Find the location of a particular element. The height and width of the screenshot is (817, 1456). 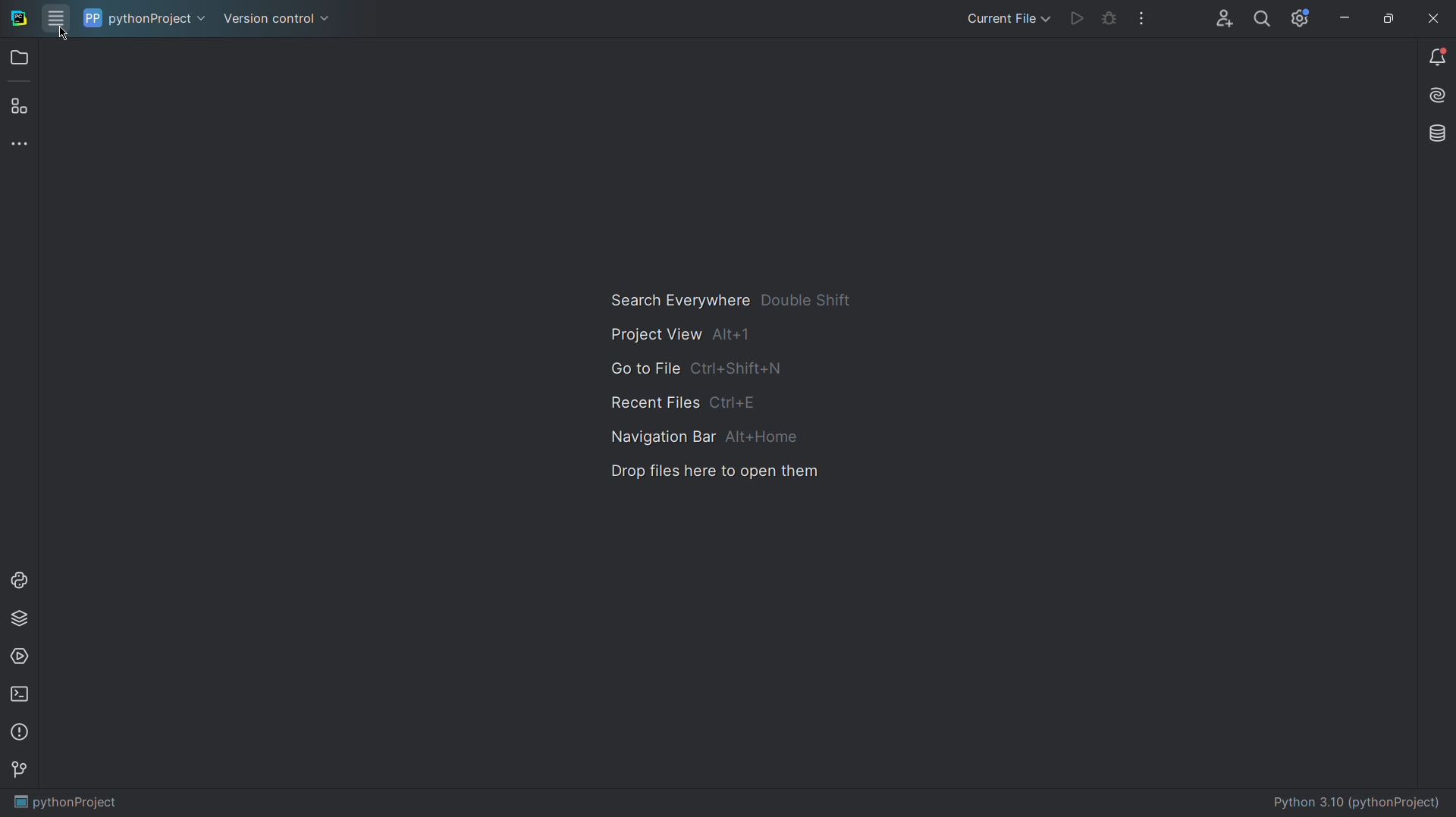

Settings is located at coordinates (1301, 17).